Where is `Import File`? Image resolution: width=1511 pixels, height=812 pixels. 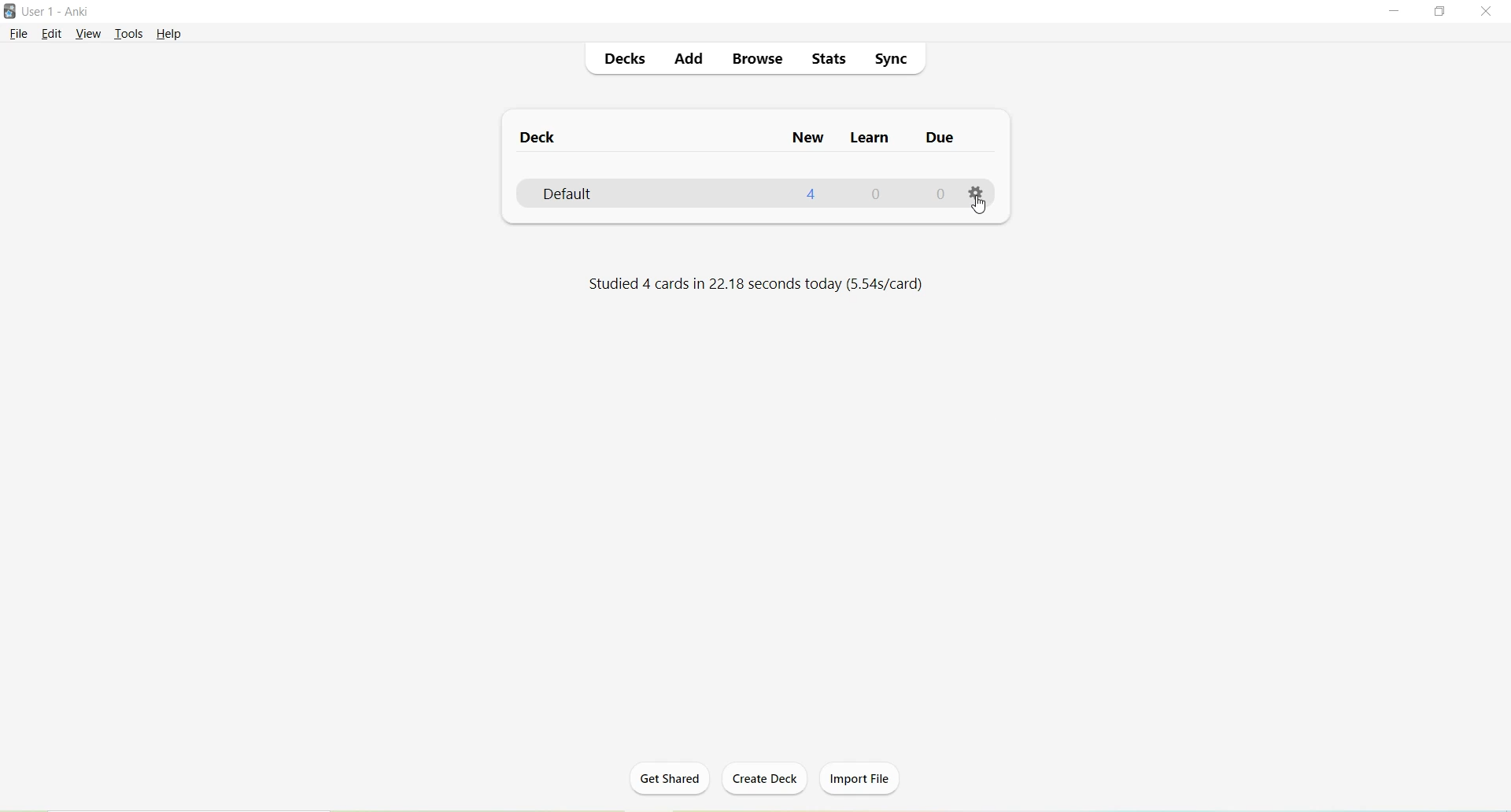 Import File is located at coordinates (861, 778).